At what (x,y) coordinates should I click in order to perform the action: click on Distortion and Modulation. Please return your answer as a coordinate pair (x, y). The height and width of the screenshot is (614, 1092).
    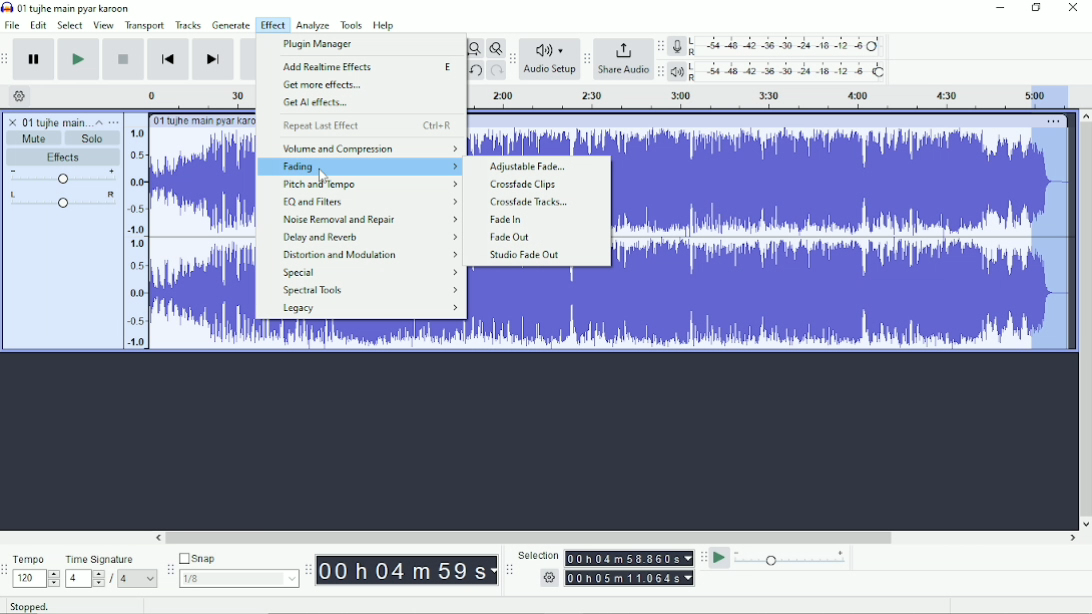
    Looking at the image, I should click on (369, 255).